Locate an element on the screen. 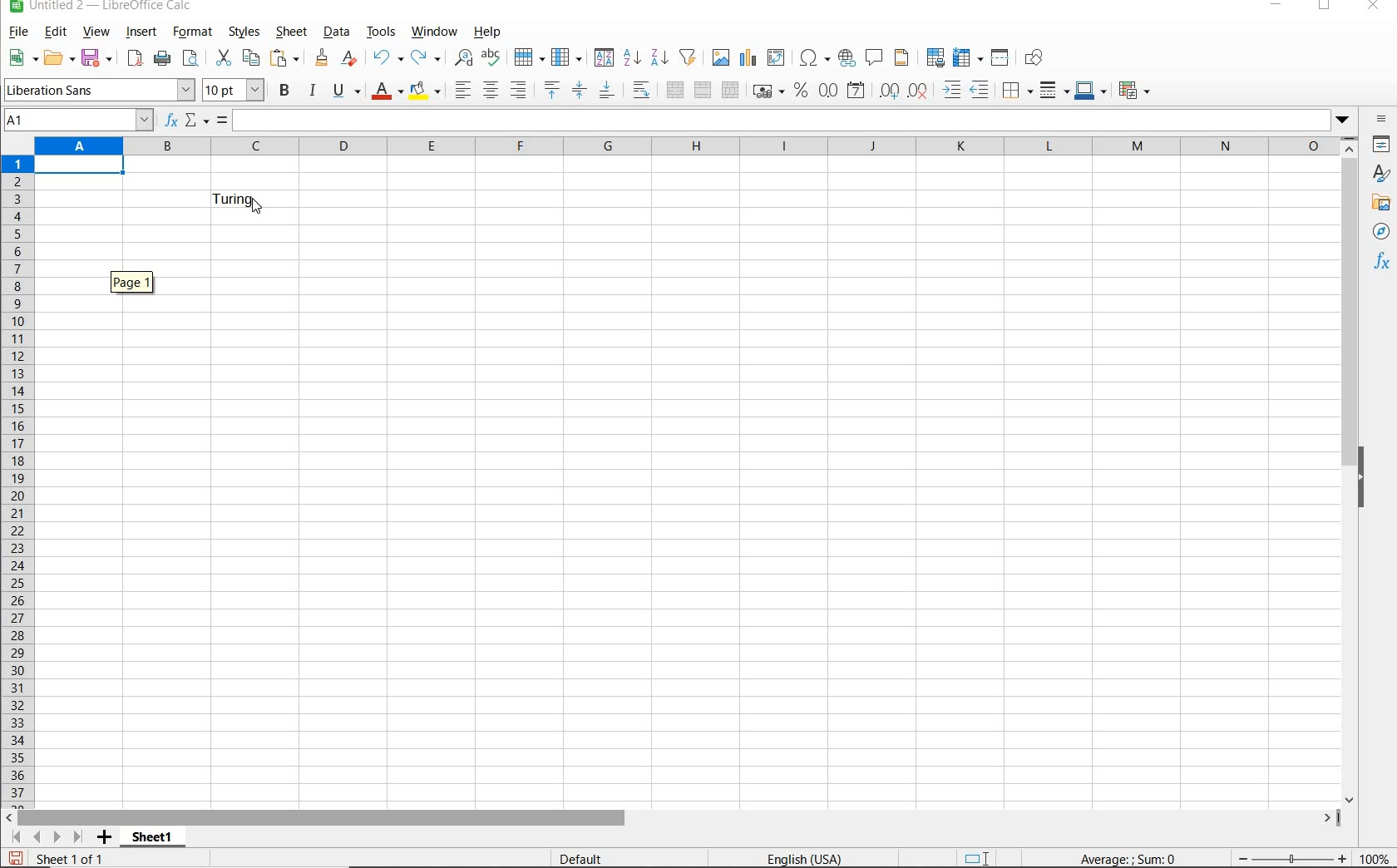 The width and height of the screenshot is (1397, 868). INSERT OR EDIT PIVOT TABLE is located at coordinates (777, 57).